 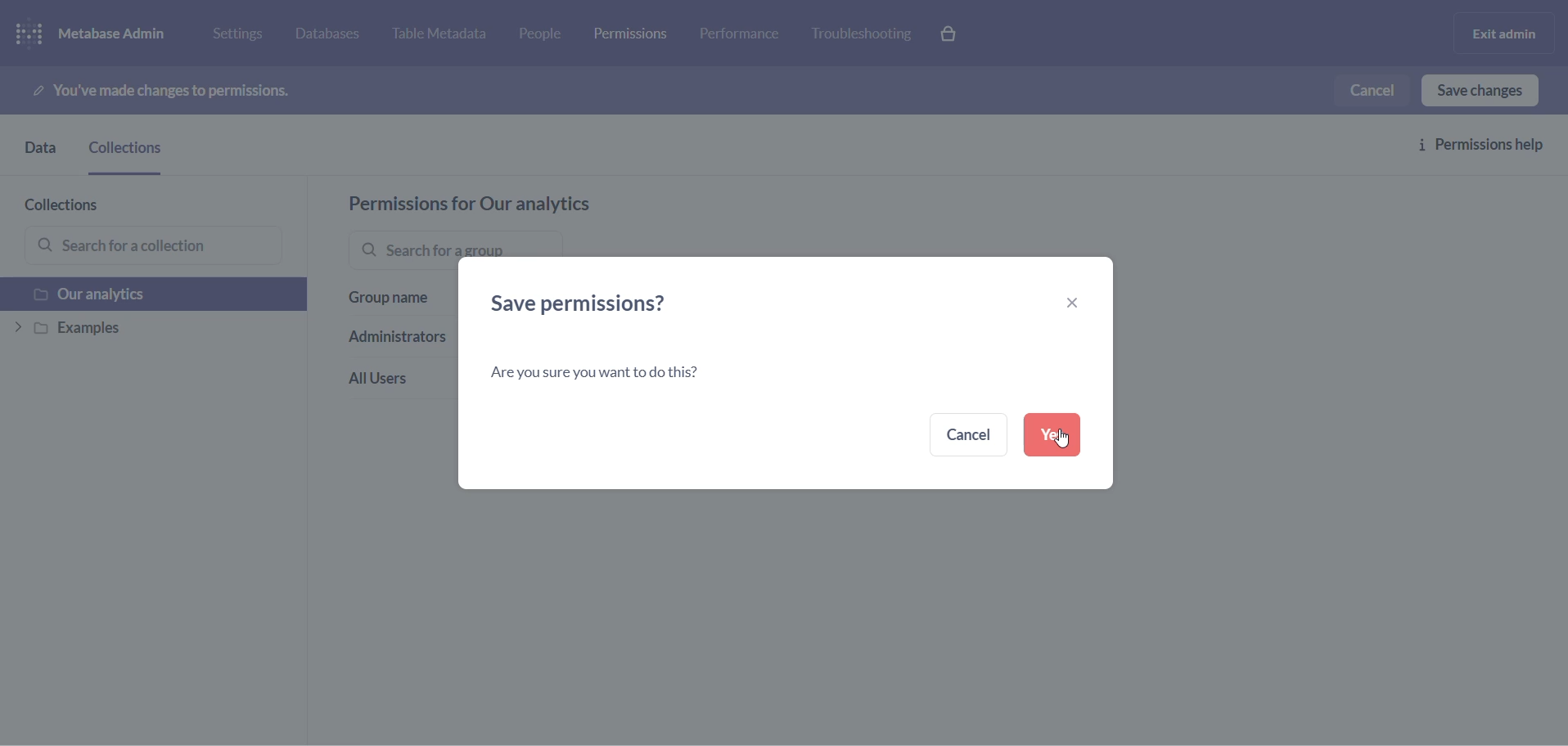 I want to click on examples, so click(x=141, y=330).